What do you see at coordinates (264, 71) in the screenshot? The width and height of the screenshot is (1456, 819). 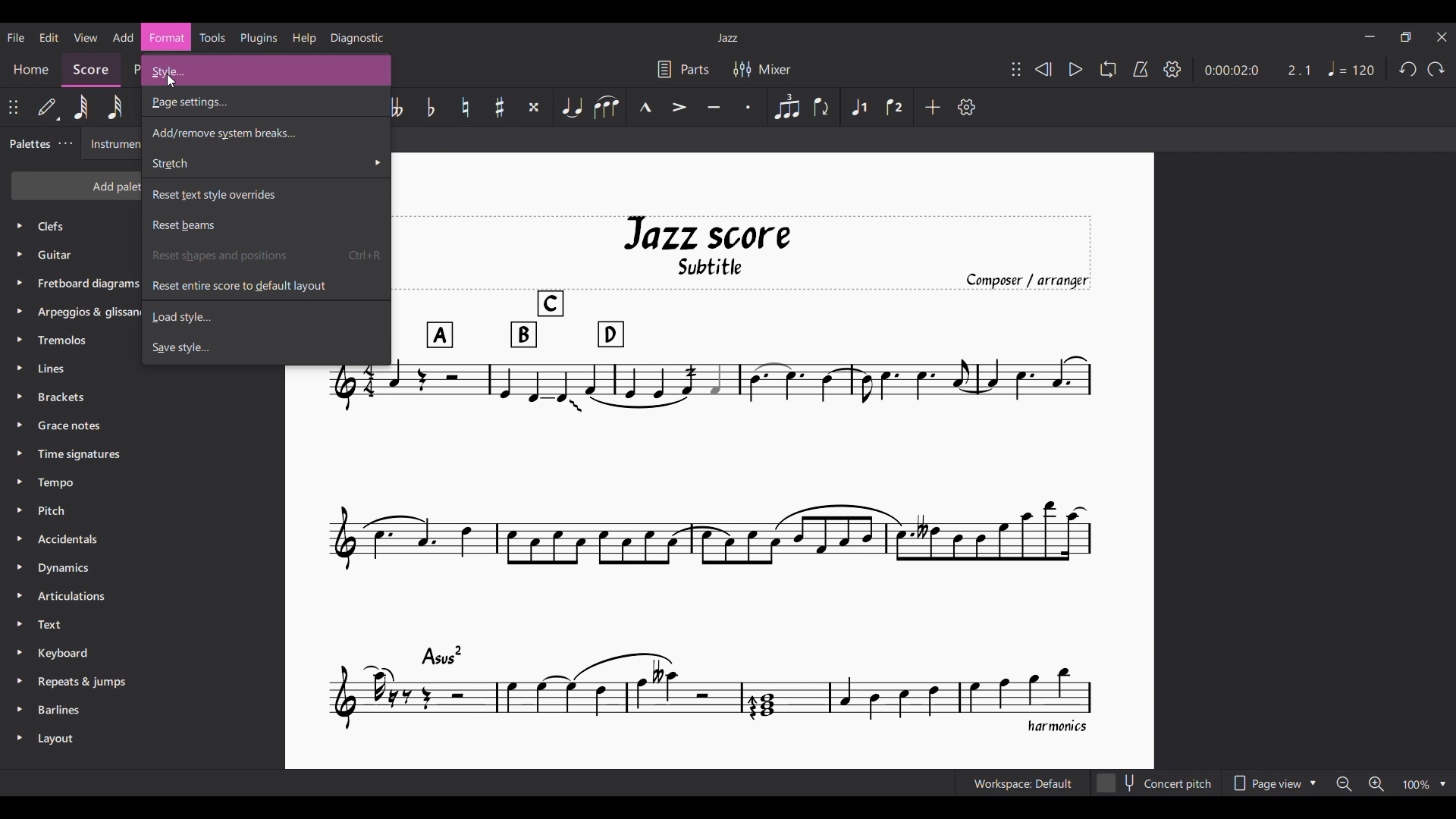 I see `Style, highlighted by cursor` at bounding box center [264, 71].